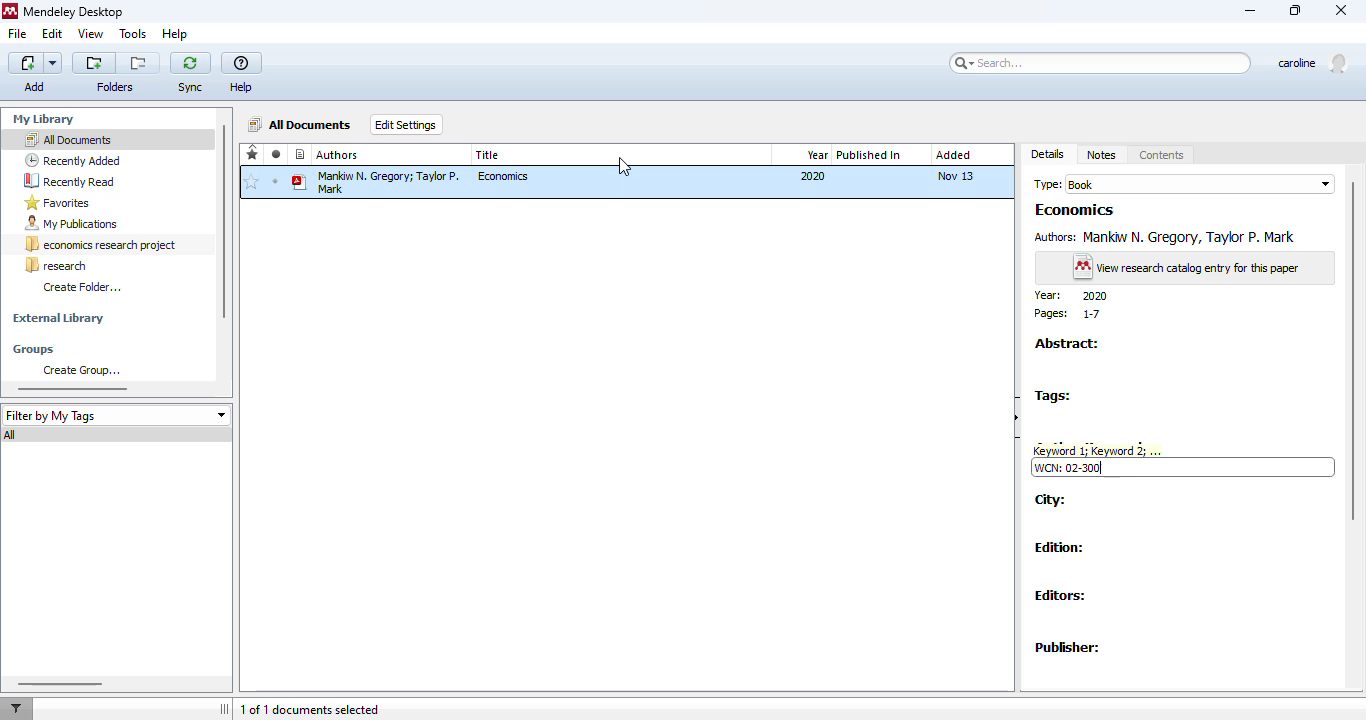  I want to click on create group, so click(84, 370).